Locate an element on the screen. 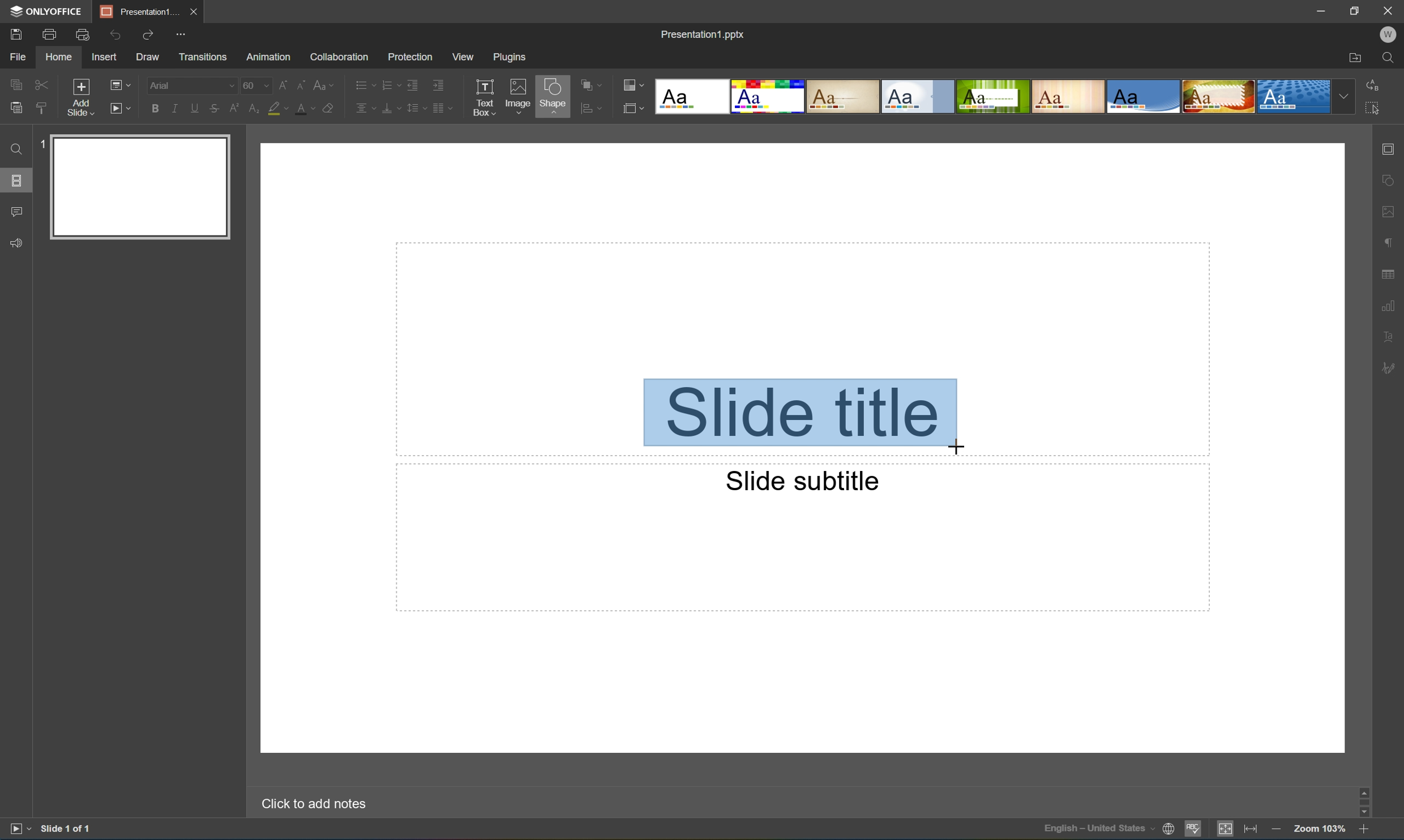 This screenshot has height=840, width=1404. Home is located at coordinates (59, 58).